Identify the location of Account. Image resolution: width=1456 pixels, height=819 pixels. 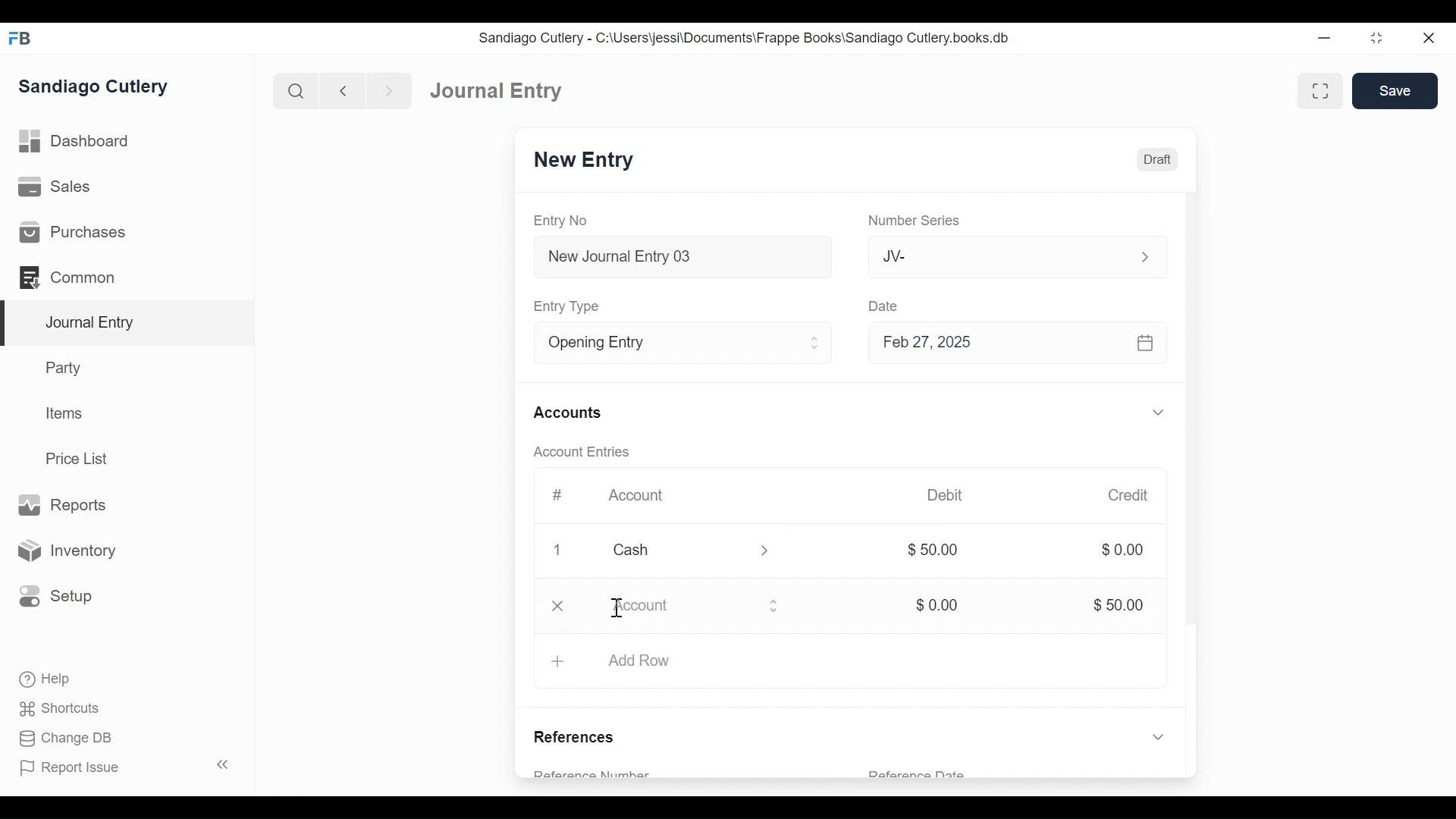
(680, 606).